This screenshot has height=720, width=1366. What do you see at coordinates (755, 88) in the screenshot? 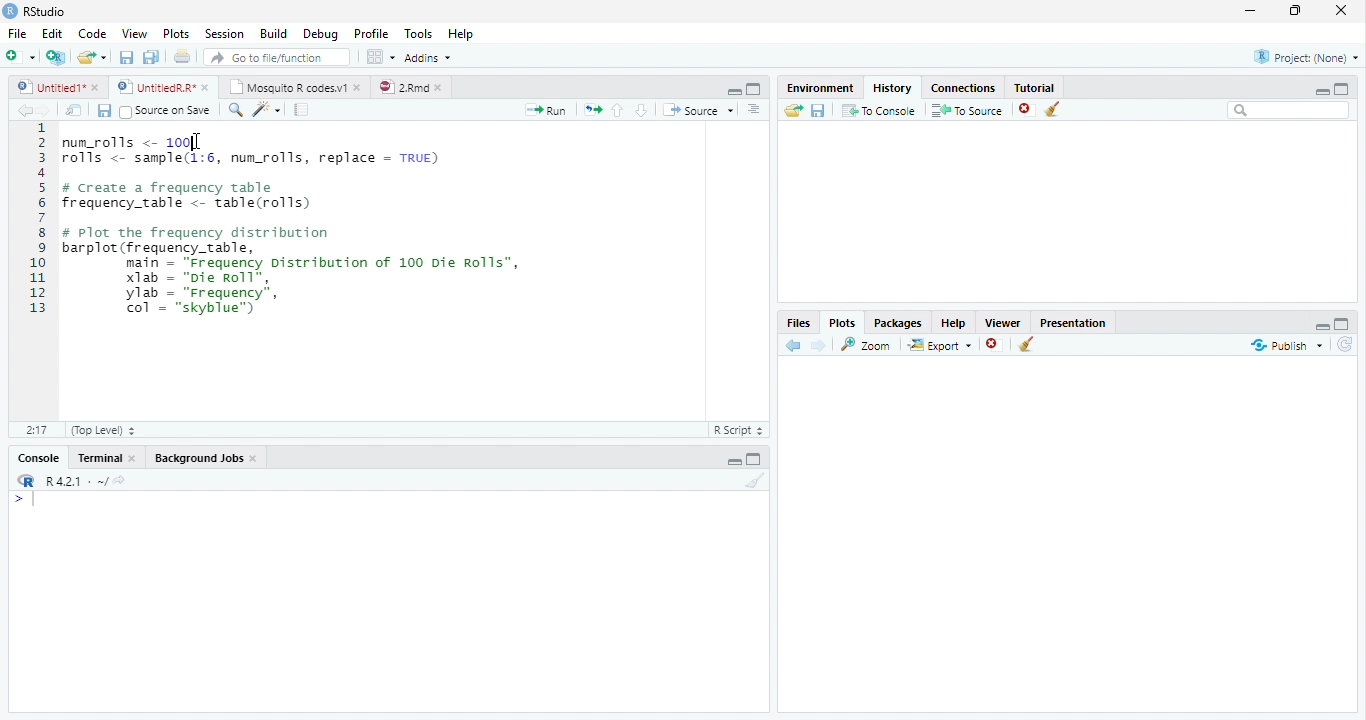
I see `Full Screen` at bounding box center [755, 88].